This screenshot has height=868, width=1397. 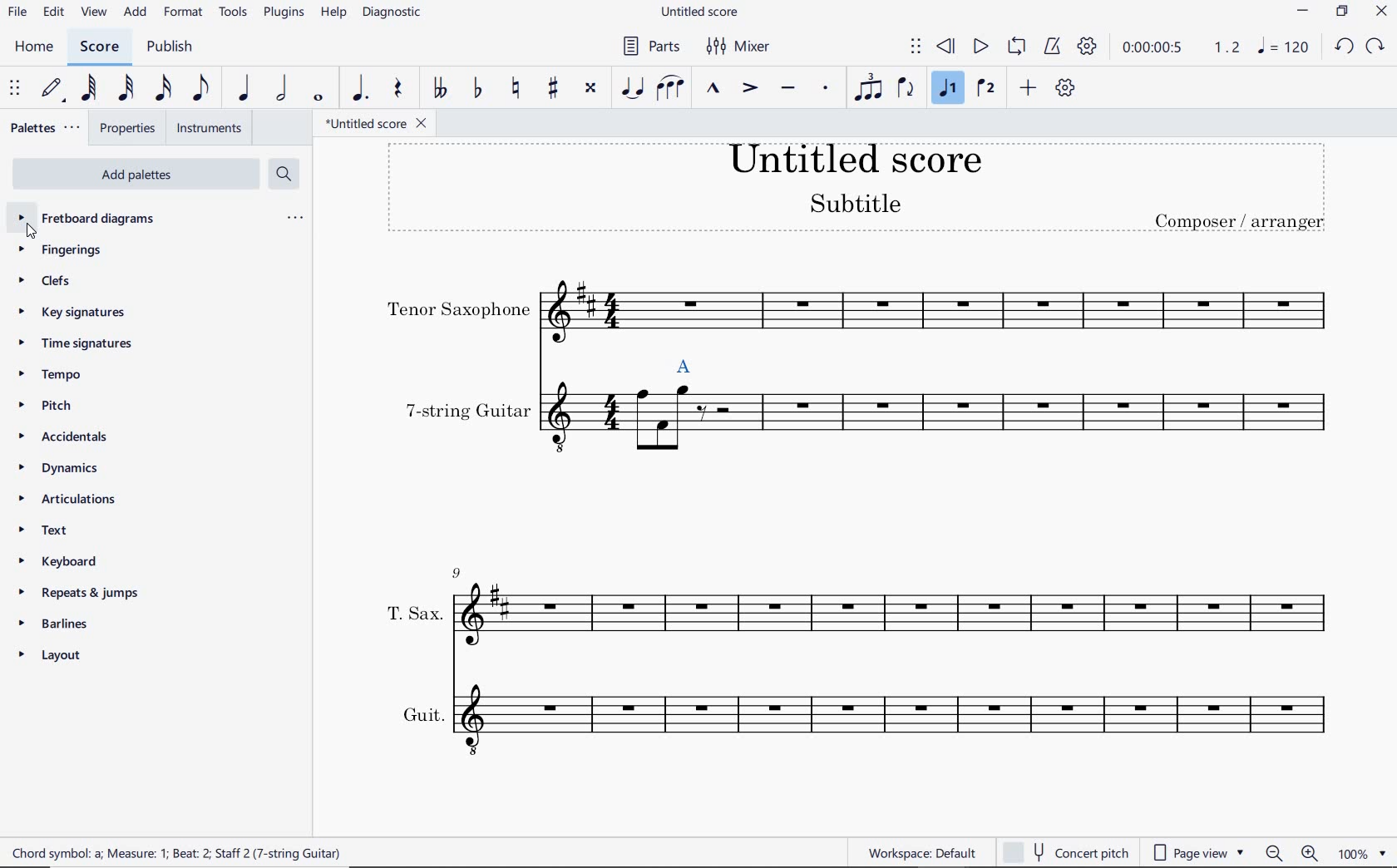 What do you see at coordinates (945, 46) in the screenshot?
I see `REWIND` at bounding box center [945, 46].